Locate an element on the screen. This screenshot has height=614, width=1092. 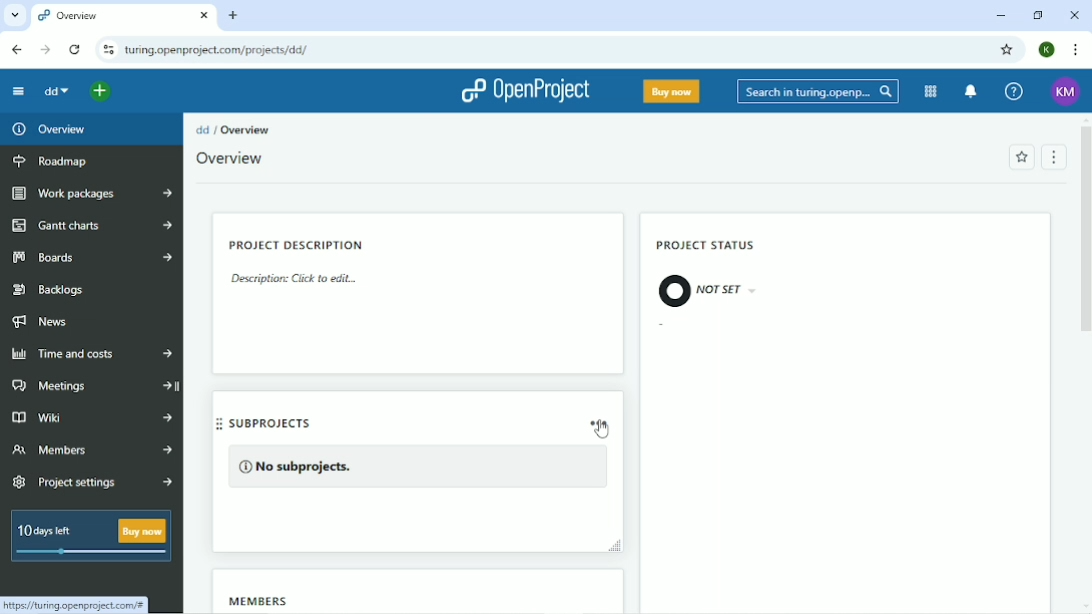
Cursor is located at coordinates (601, 430).